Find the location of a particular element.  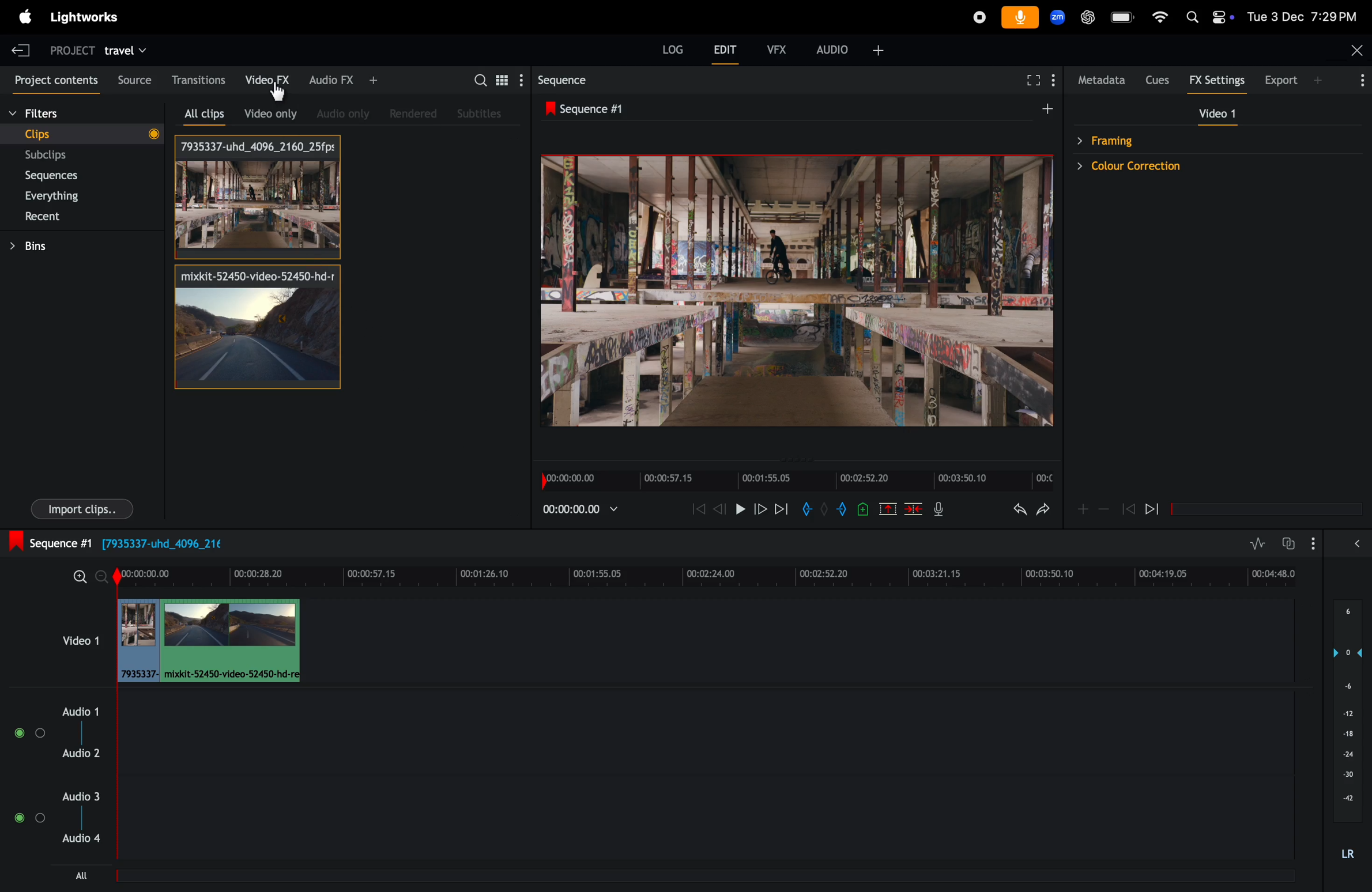

Subtitles is located at coordinates (476, 114).